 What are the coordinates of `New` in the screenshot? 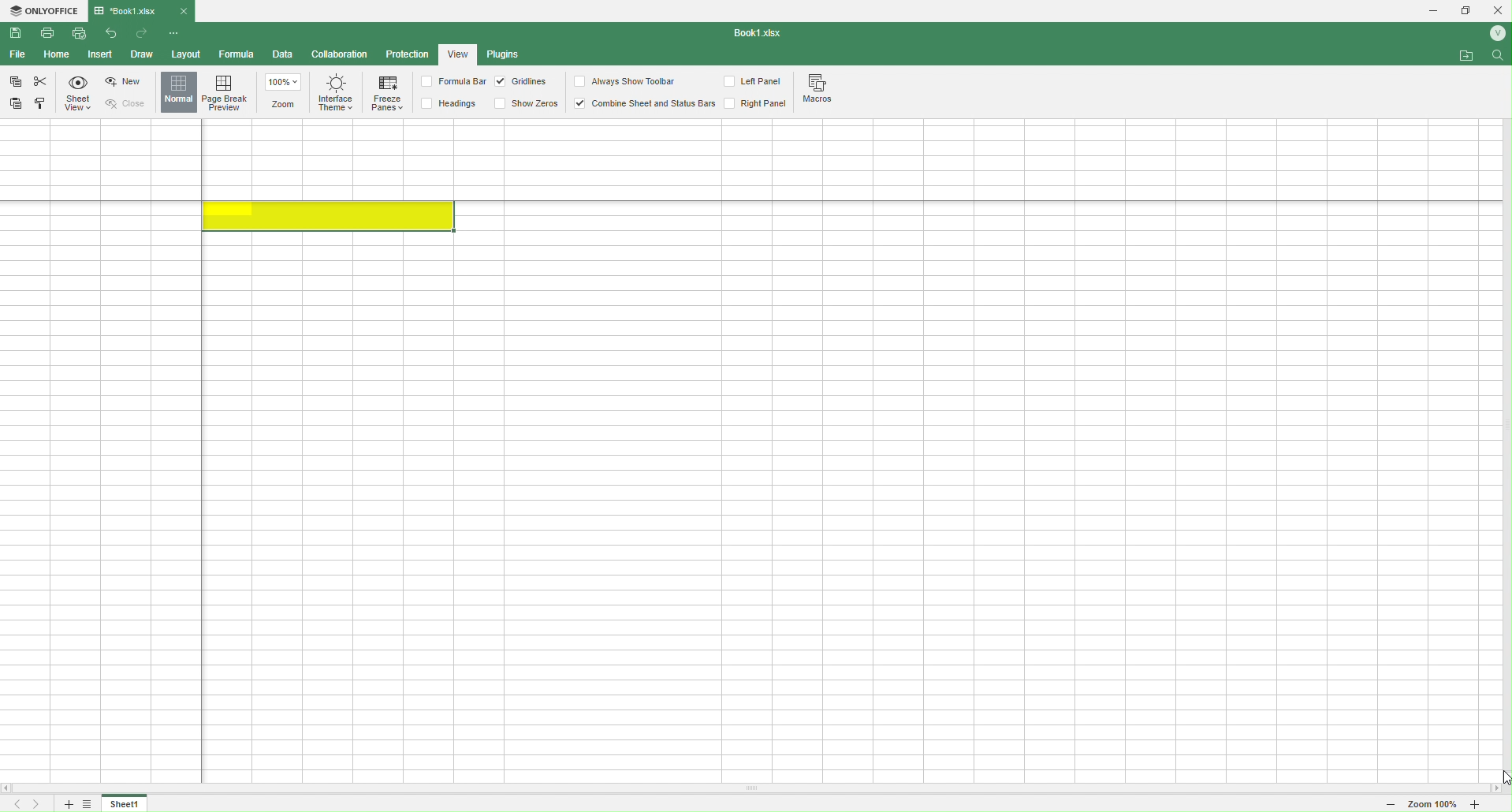 It's located at (125, 82).